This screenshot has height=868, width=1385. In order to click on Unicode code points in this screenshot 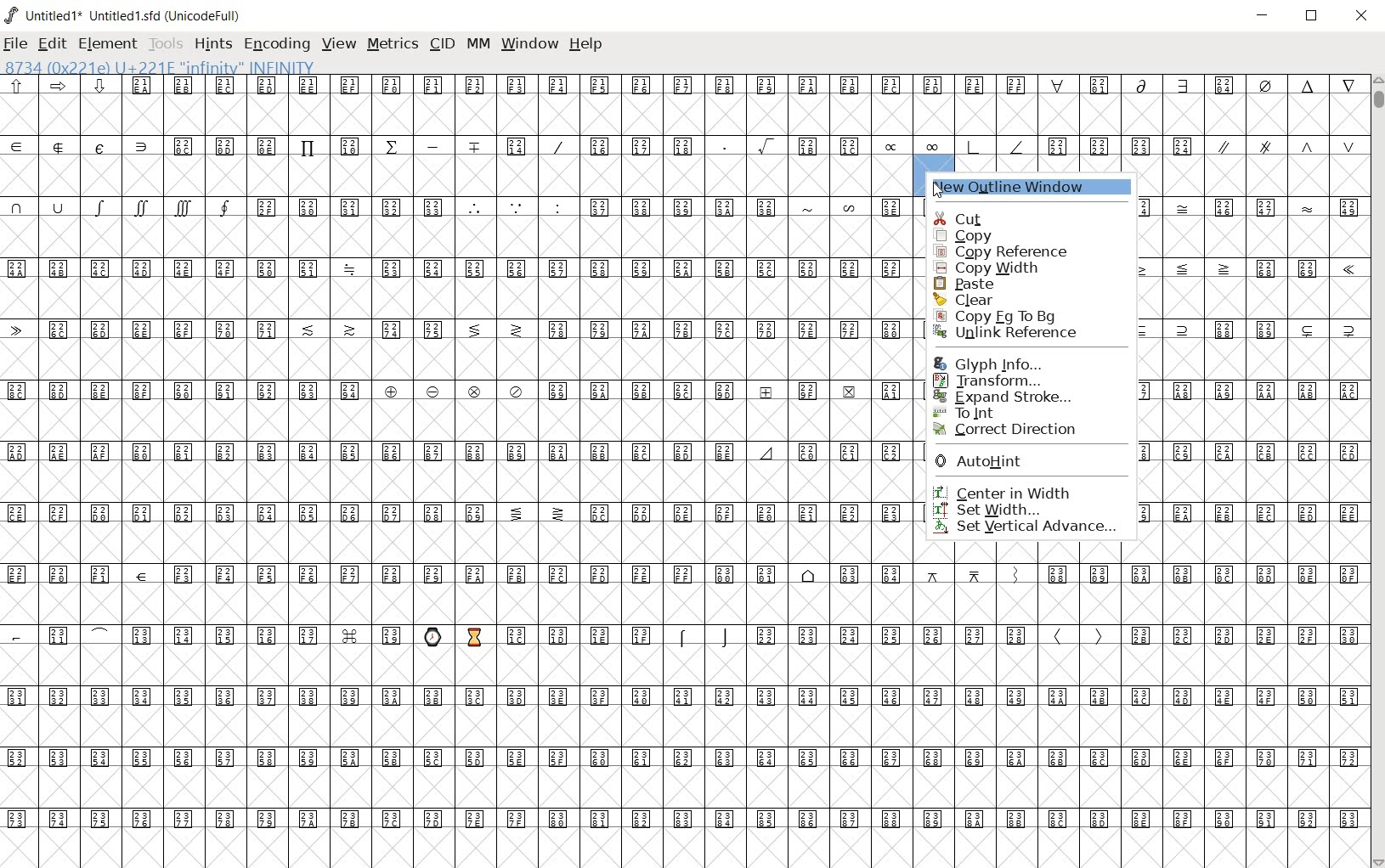, I will do `click(1118, 146)`.